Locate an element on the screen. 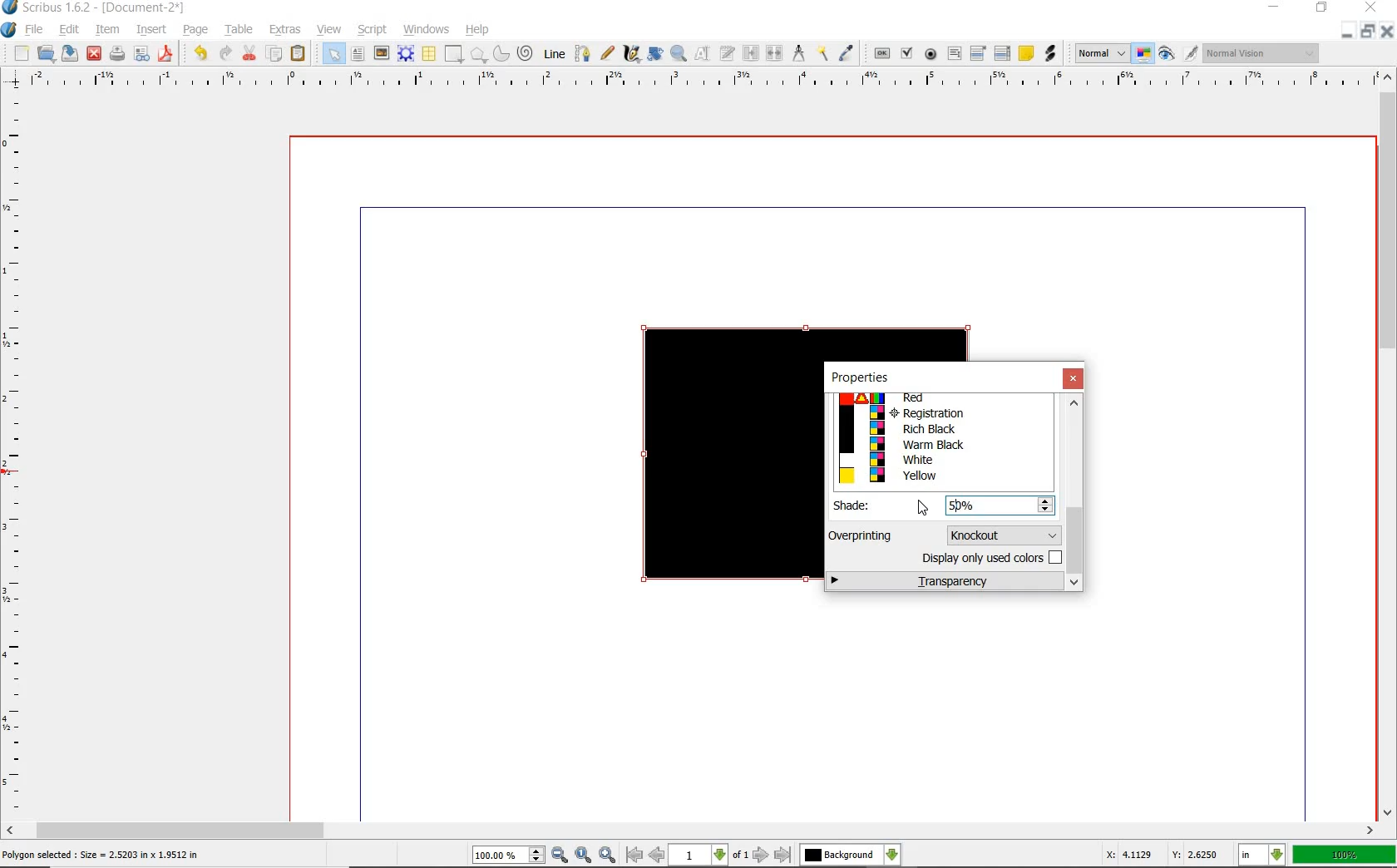 This screenshot has height=868, width=1397. ruler is located at coordinates (696, 81).